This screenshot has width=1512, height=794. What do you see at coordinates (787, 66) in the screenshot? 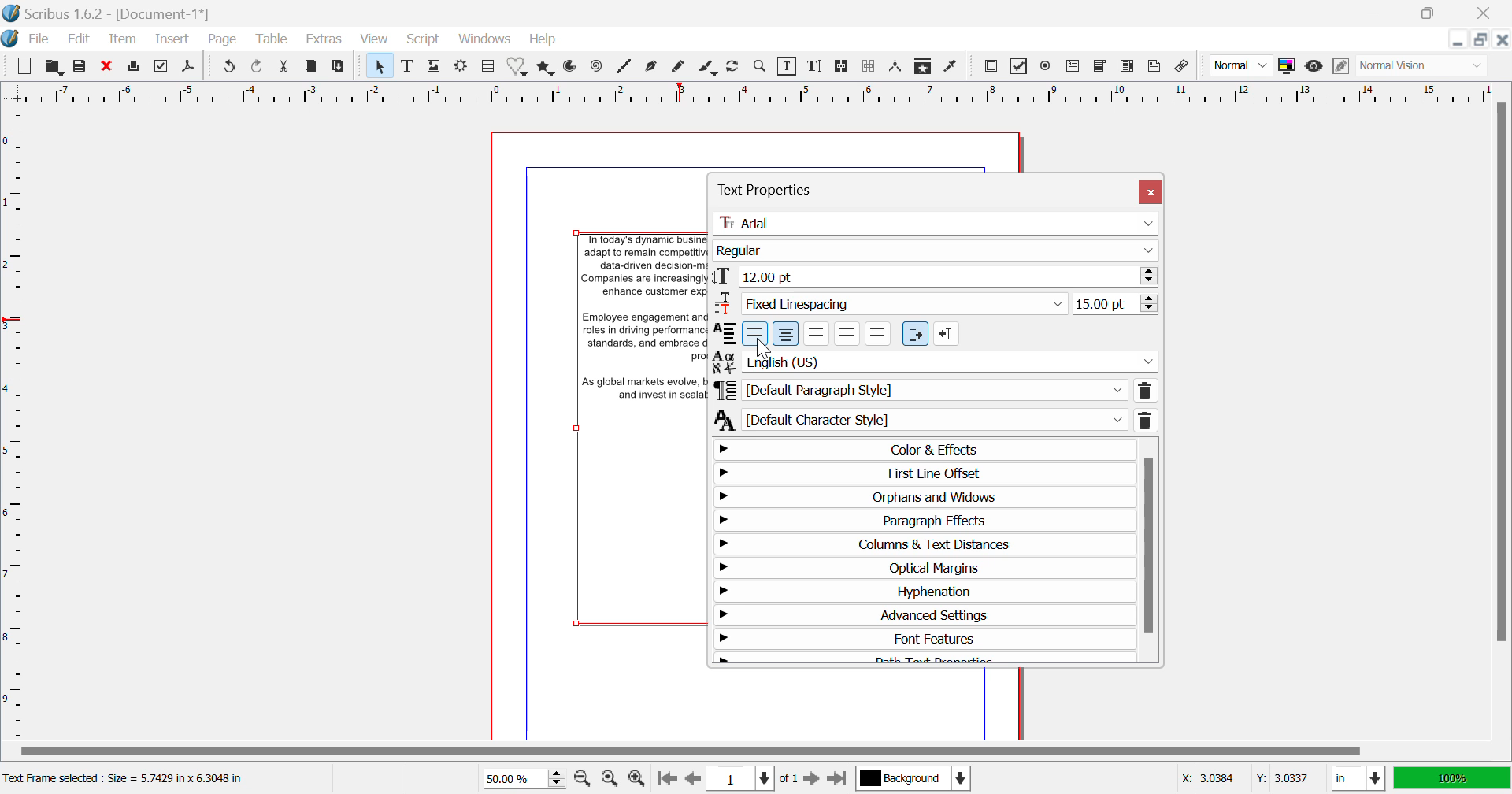
I see `Edit Content in Frames` at bounding box center [787, 66].